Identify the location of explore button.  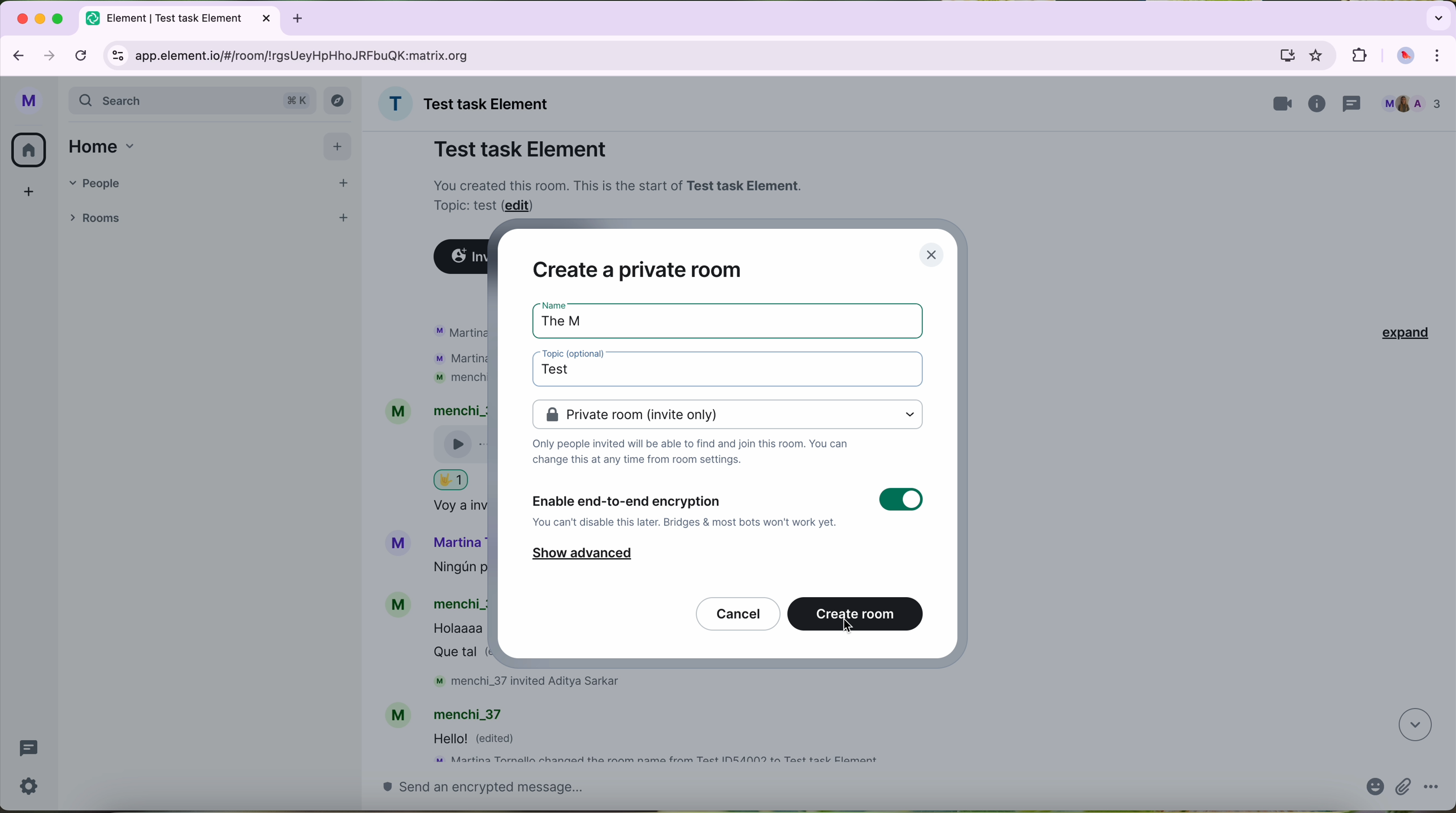
(339, 103).